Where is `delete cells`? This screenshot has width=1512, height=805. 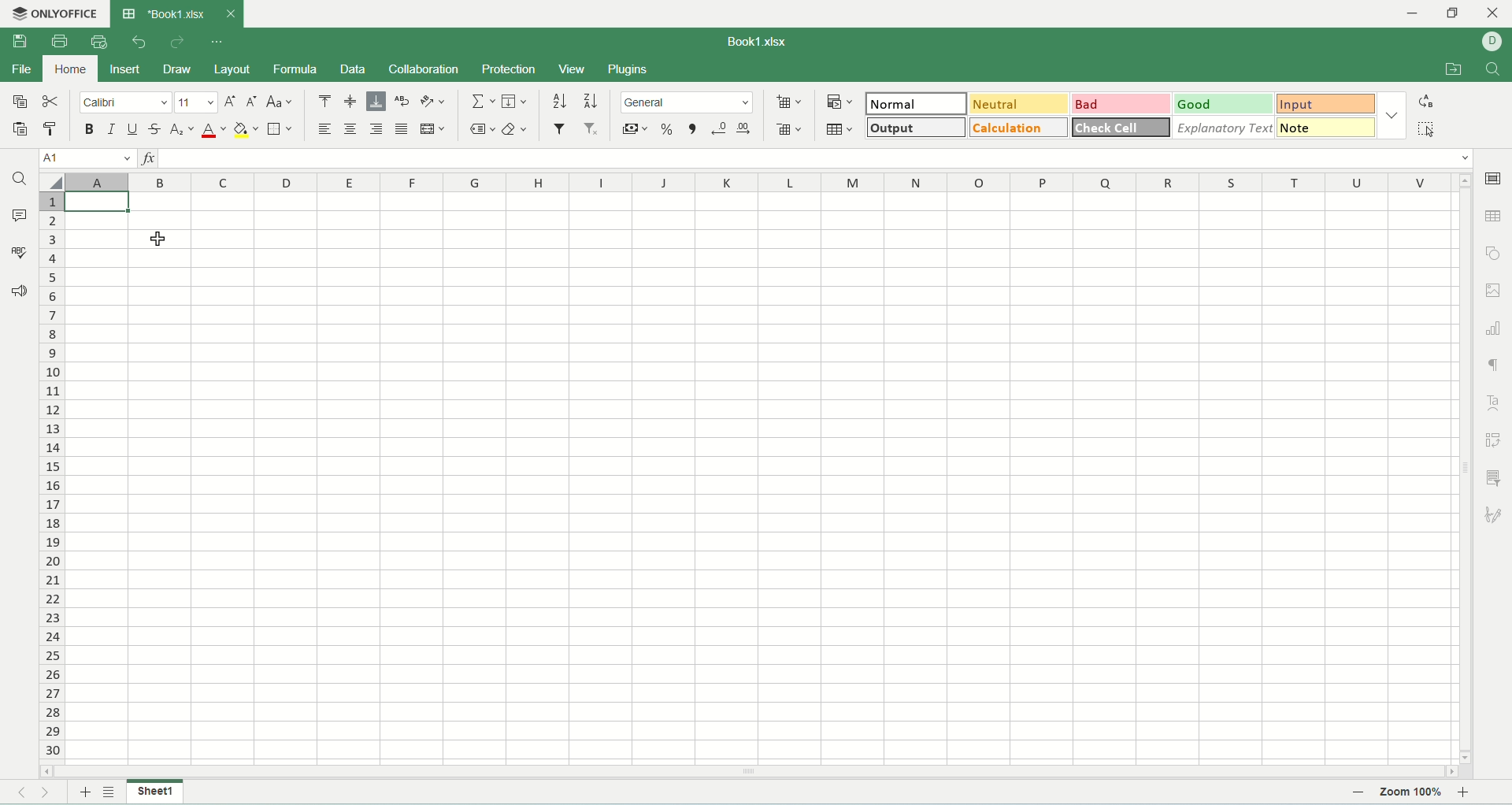 delete cells is located at coordinates (788, 126).